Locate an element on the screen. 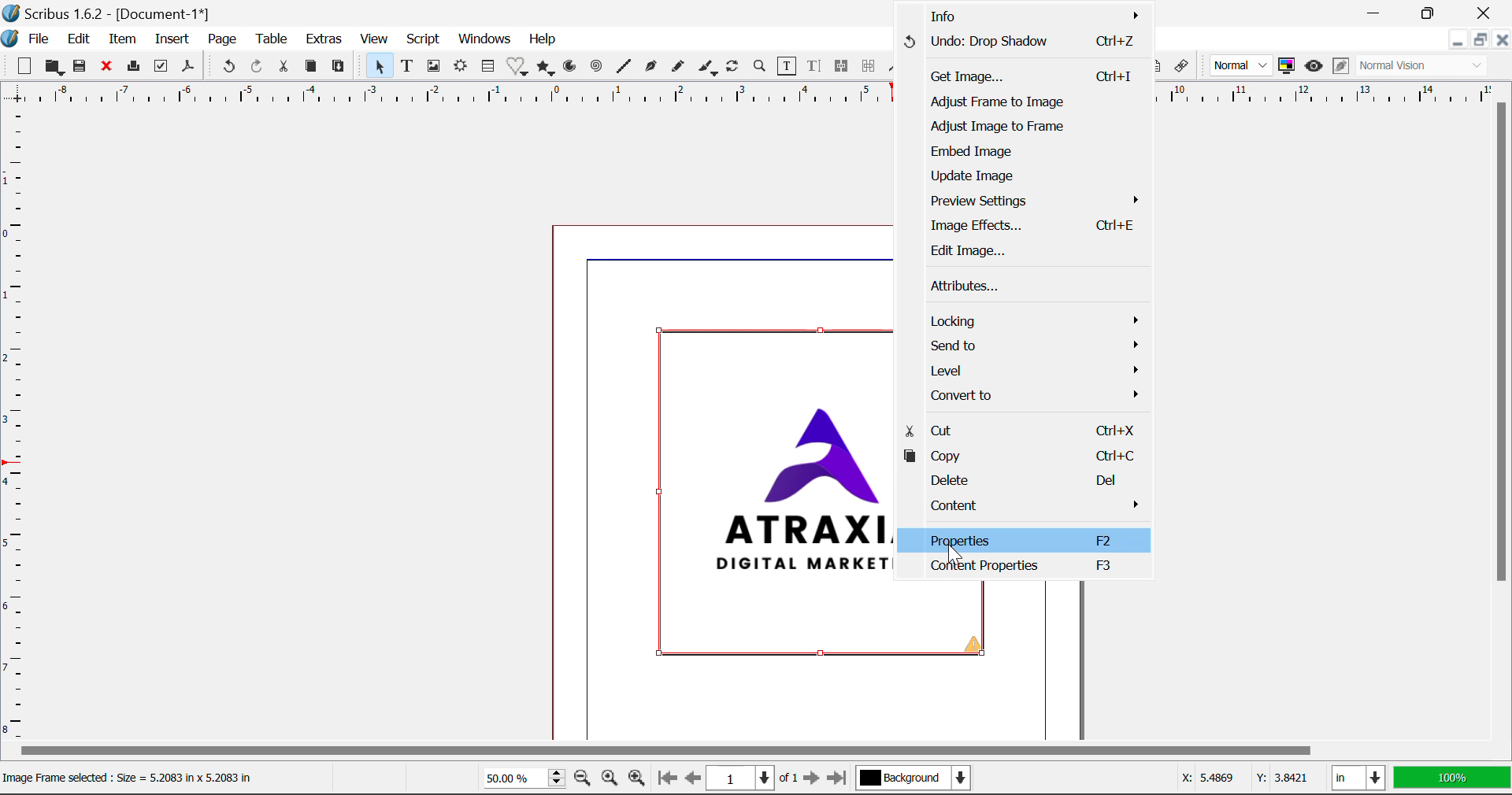  Send to is located at coordinates (1035, 349).